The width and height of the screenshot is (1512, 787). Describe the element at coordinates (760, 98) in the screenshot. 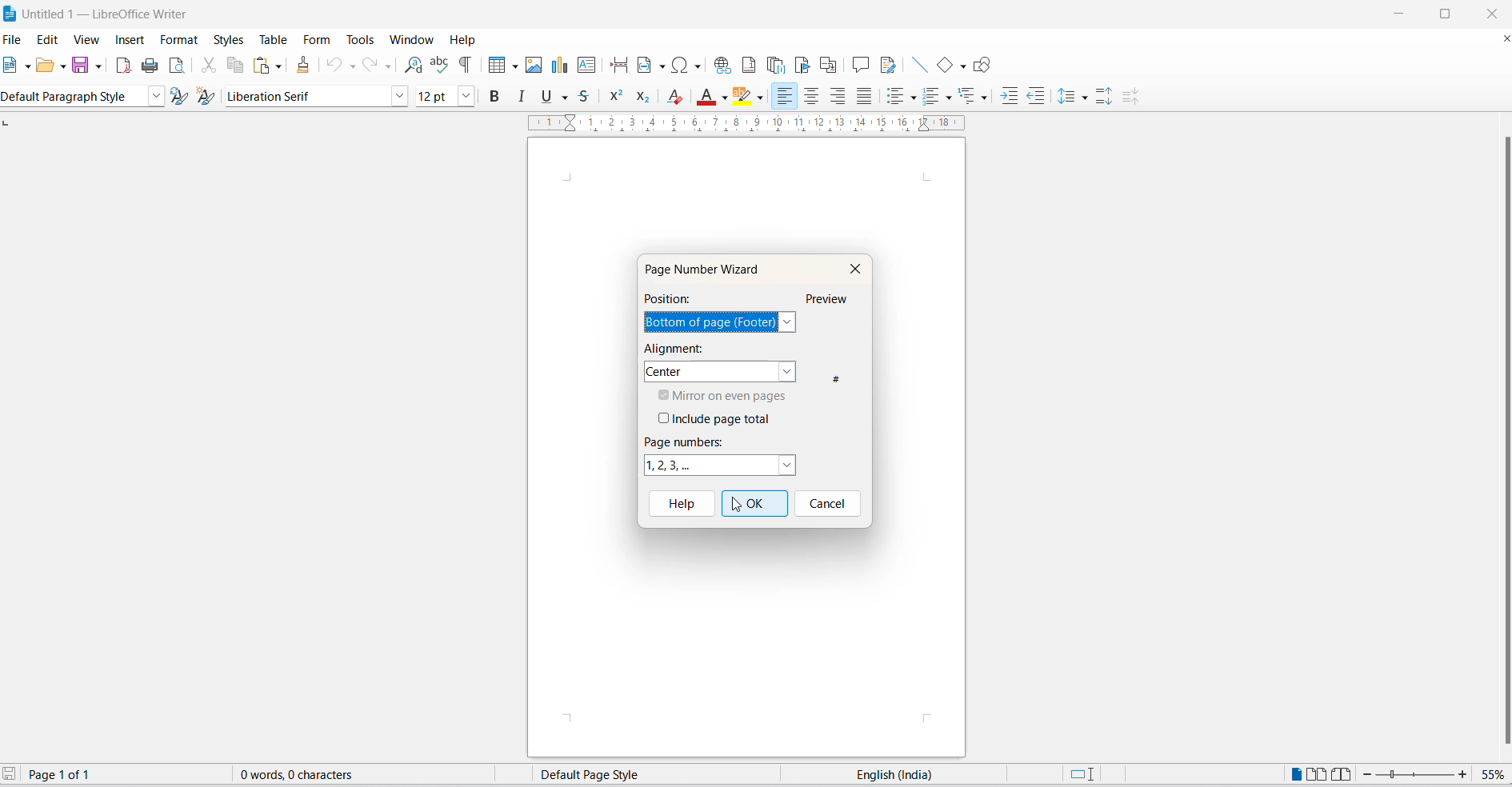

I see `character highlighting options` at that location.